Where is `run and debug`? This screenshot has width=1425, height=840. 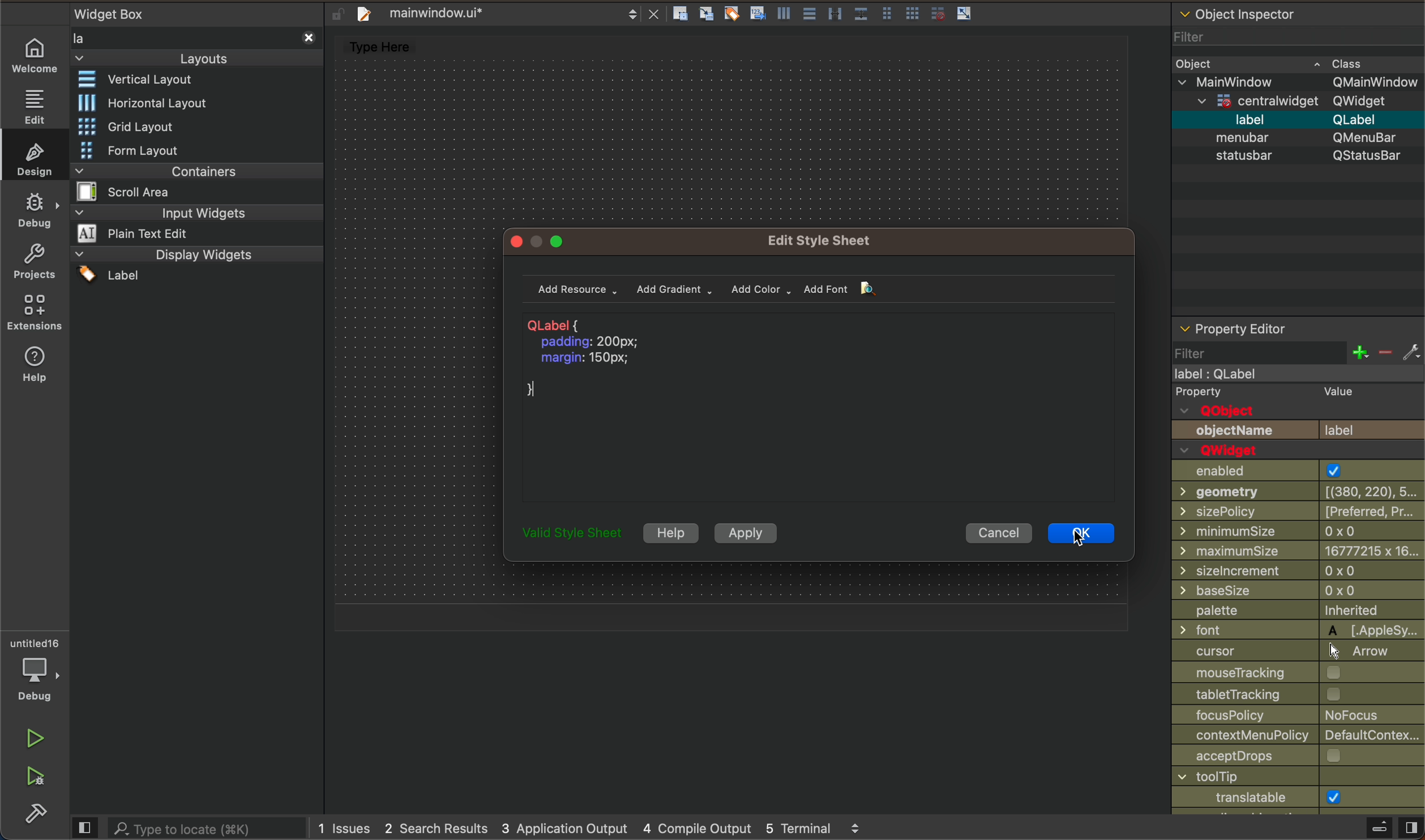
run and debug is located at coordinates (37, 778).